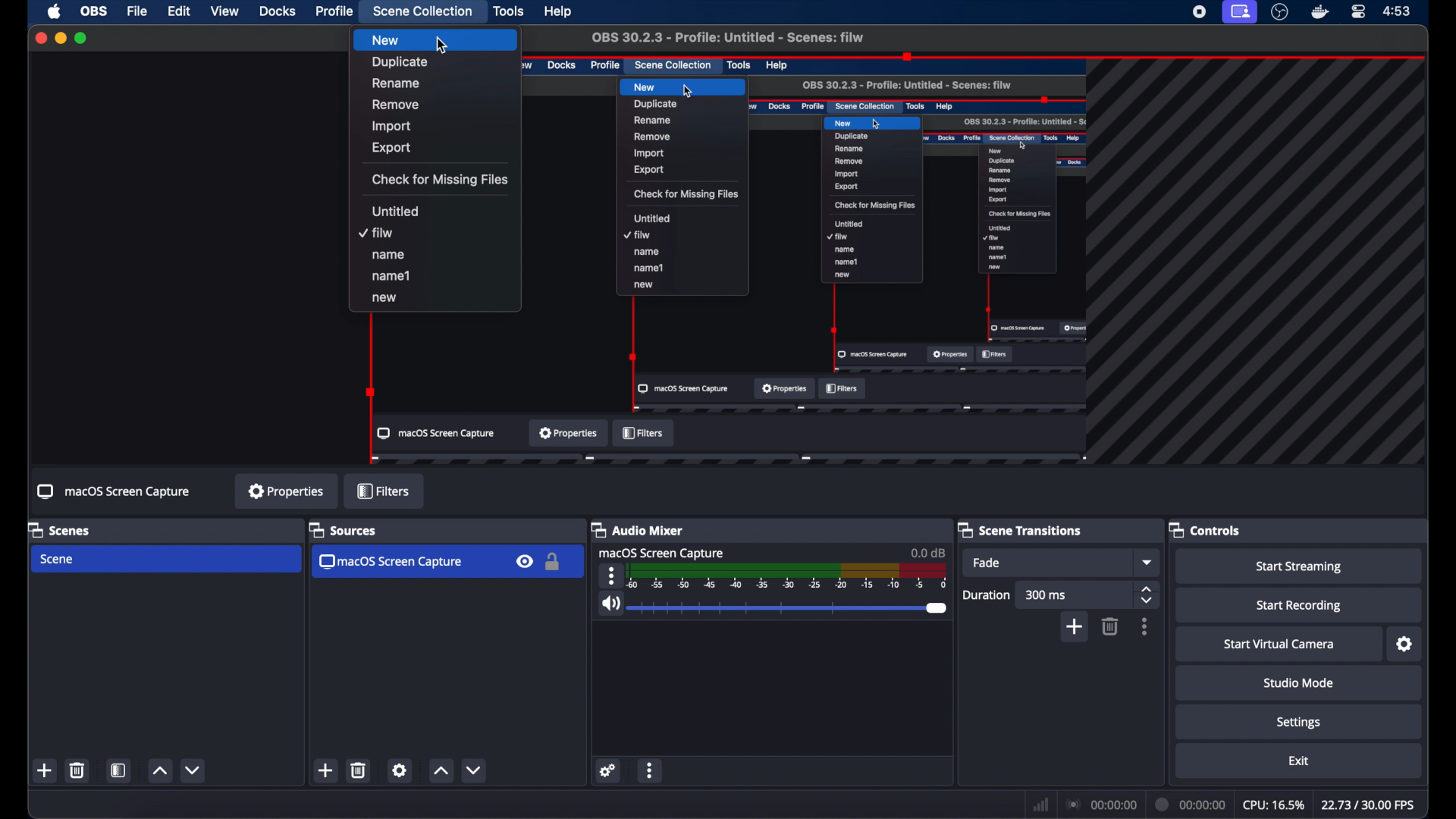  Describe the element at coordinates (803, 262) in the screenshot. I see `preview` at that location.